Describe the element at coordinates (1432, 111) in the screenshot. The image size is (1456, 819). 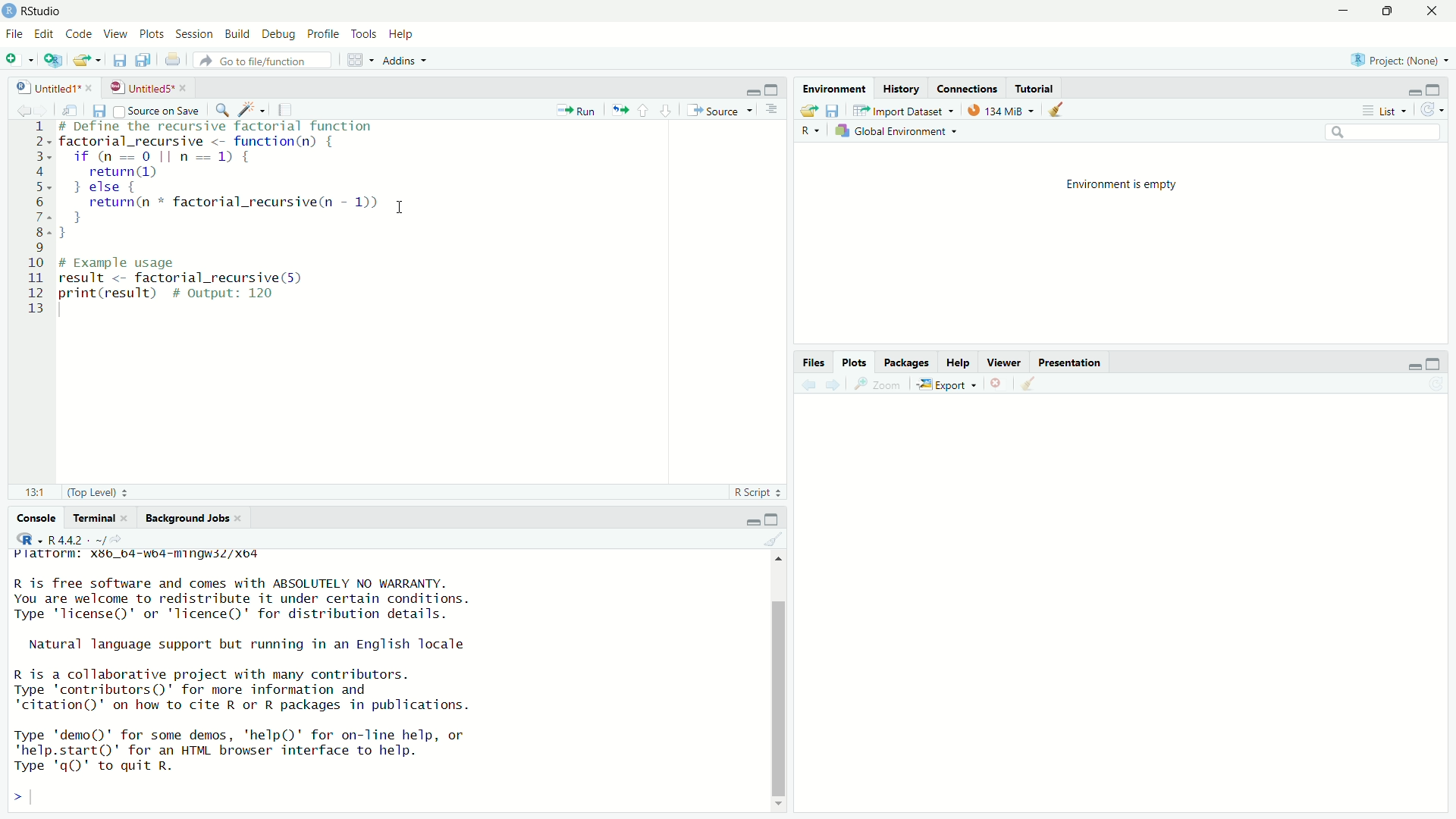
I see `Refresh the list of objects in the environment` at that location.